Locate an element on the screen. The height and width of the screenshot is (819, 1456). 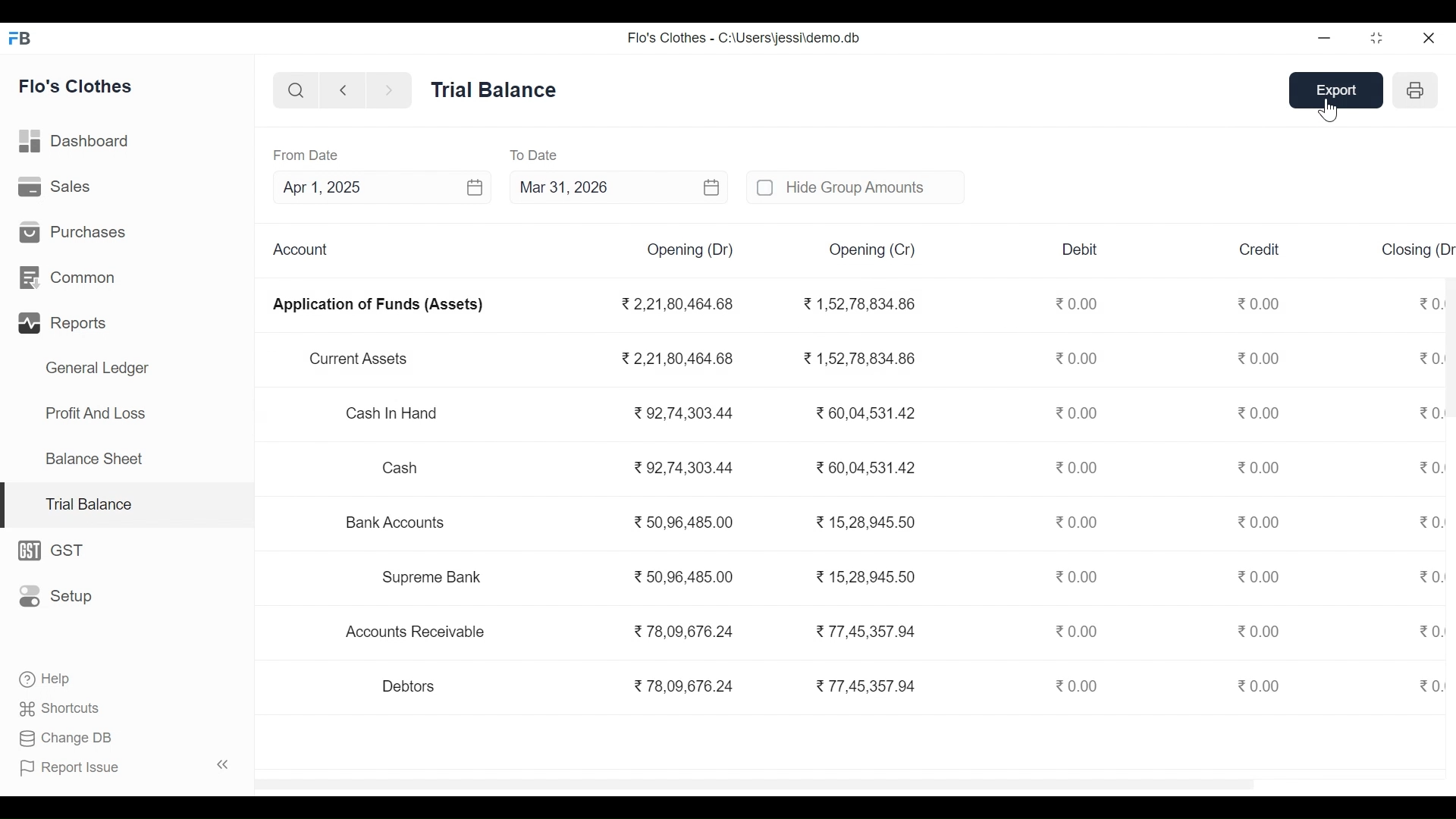
Minimize is located at coordinates (1326, 38).